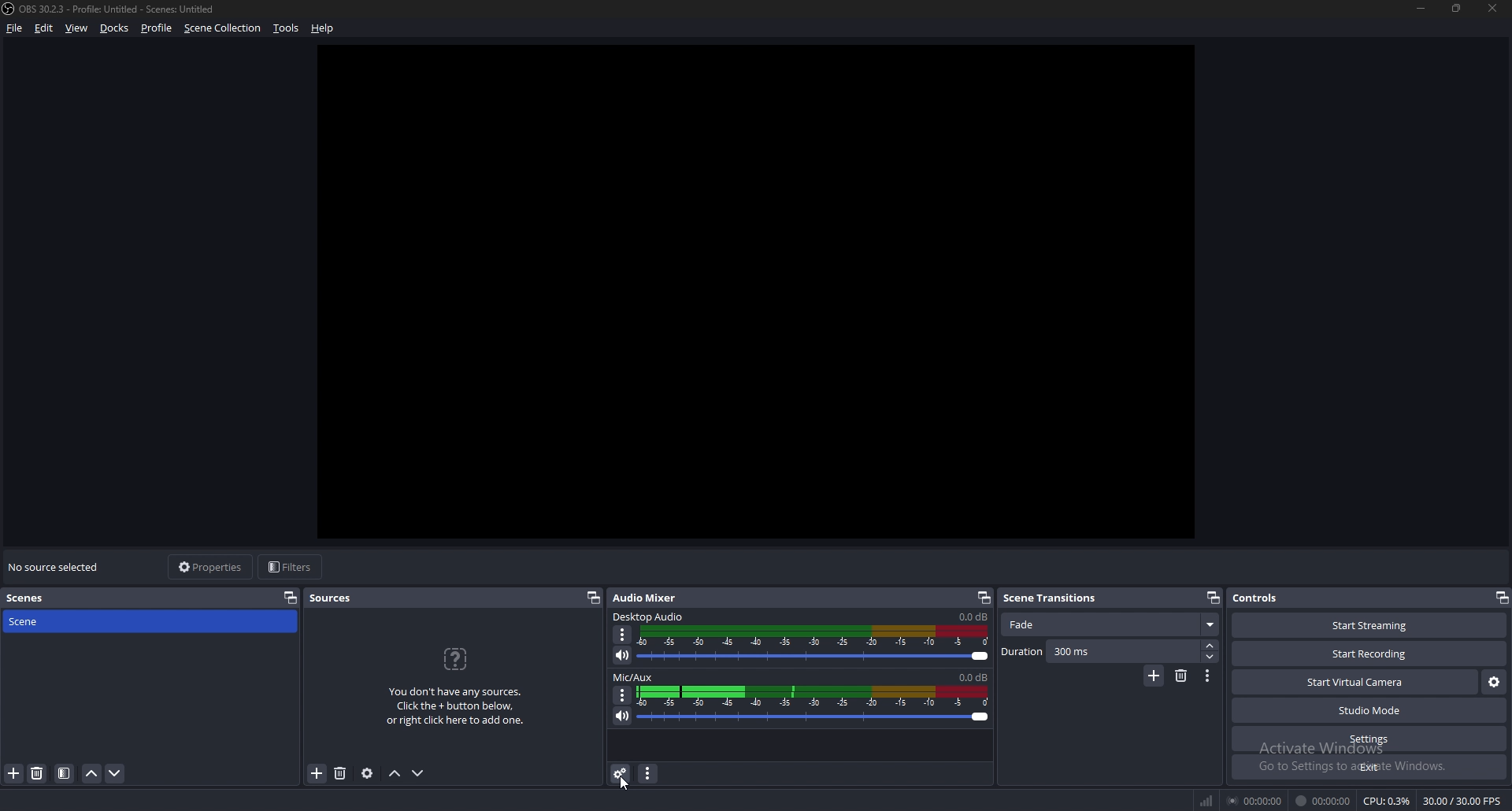 The width and height of the screenshot is (1512, 811). Describe the element at coordinates (115, 774) in the screenshot. I see `move scene down` at that location.